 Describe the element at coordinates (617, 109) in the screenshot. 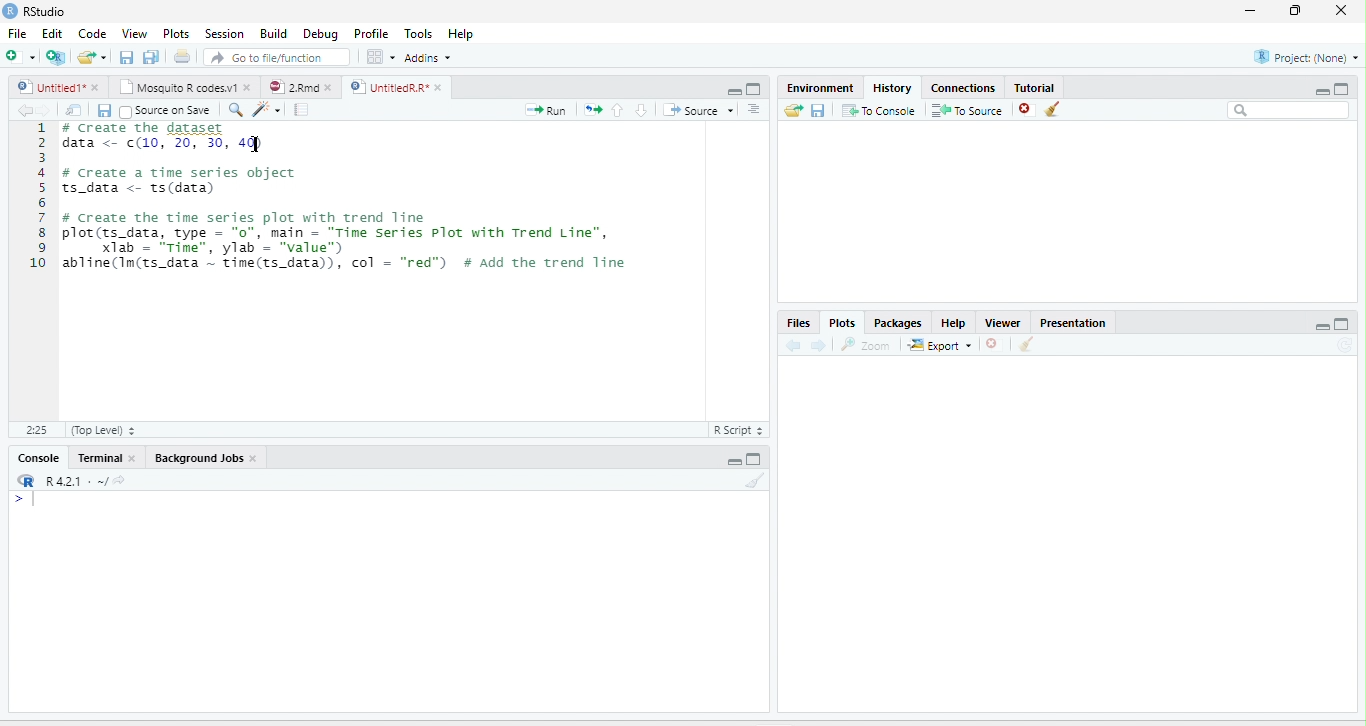

I see `Go to previous section/chunk` at that location.